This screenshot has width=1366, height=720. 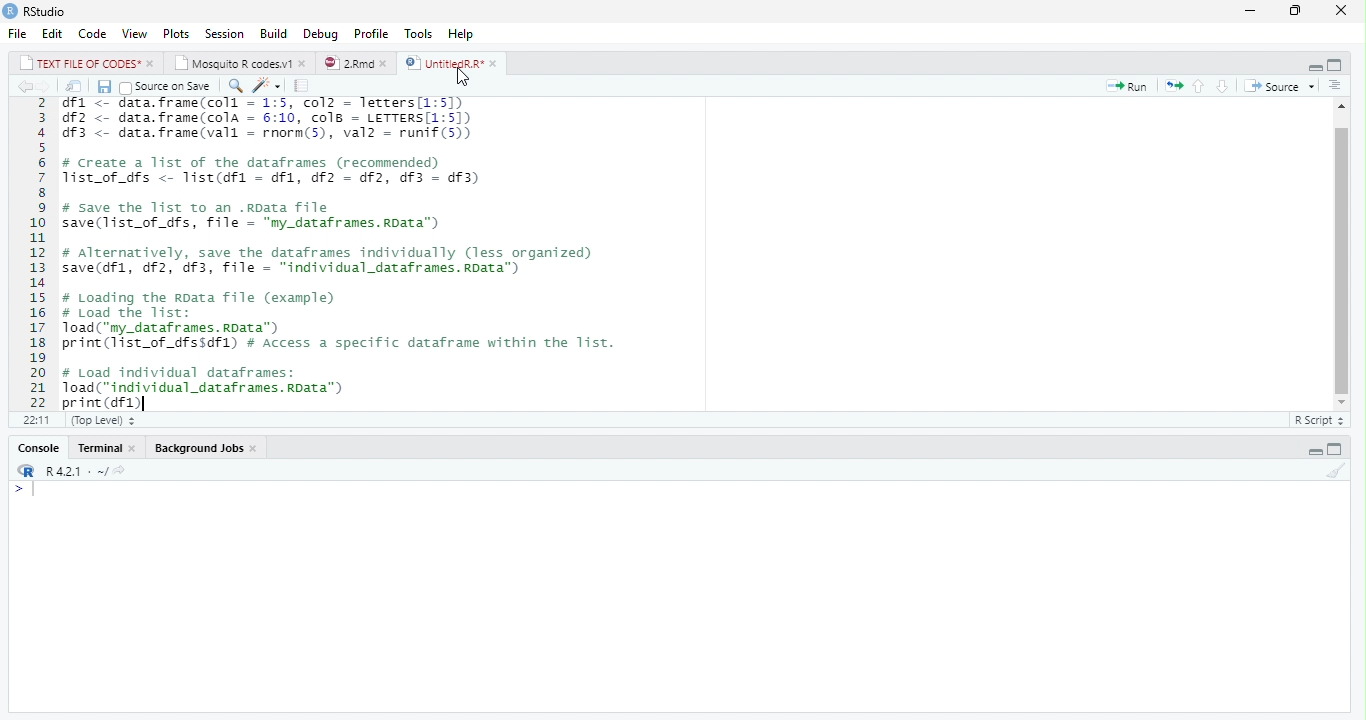 I want to click on Mosquito R codes.v1, so click(x=239, y=62).